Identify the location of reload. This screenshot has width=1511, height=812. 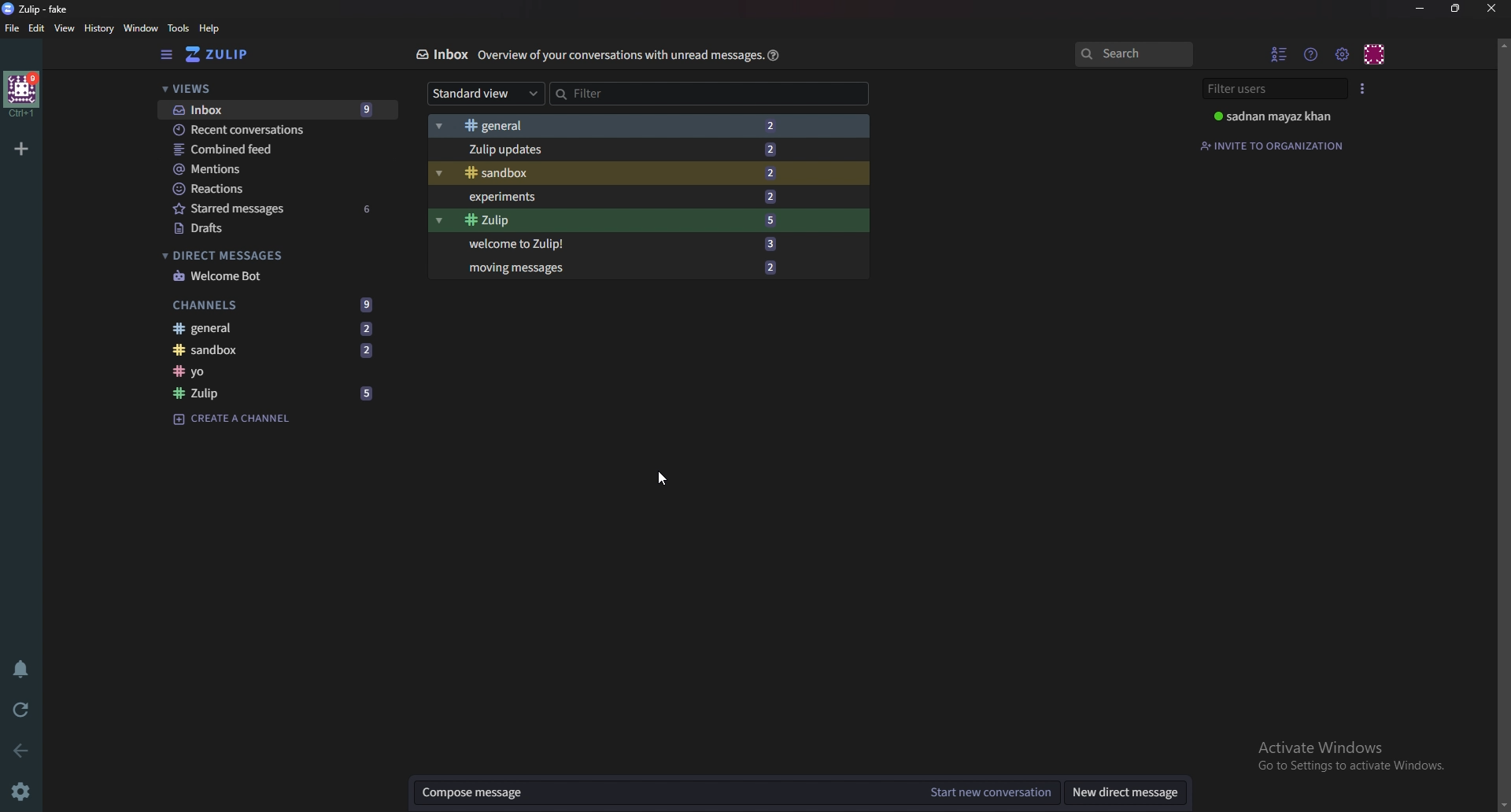
(22, 710).